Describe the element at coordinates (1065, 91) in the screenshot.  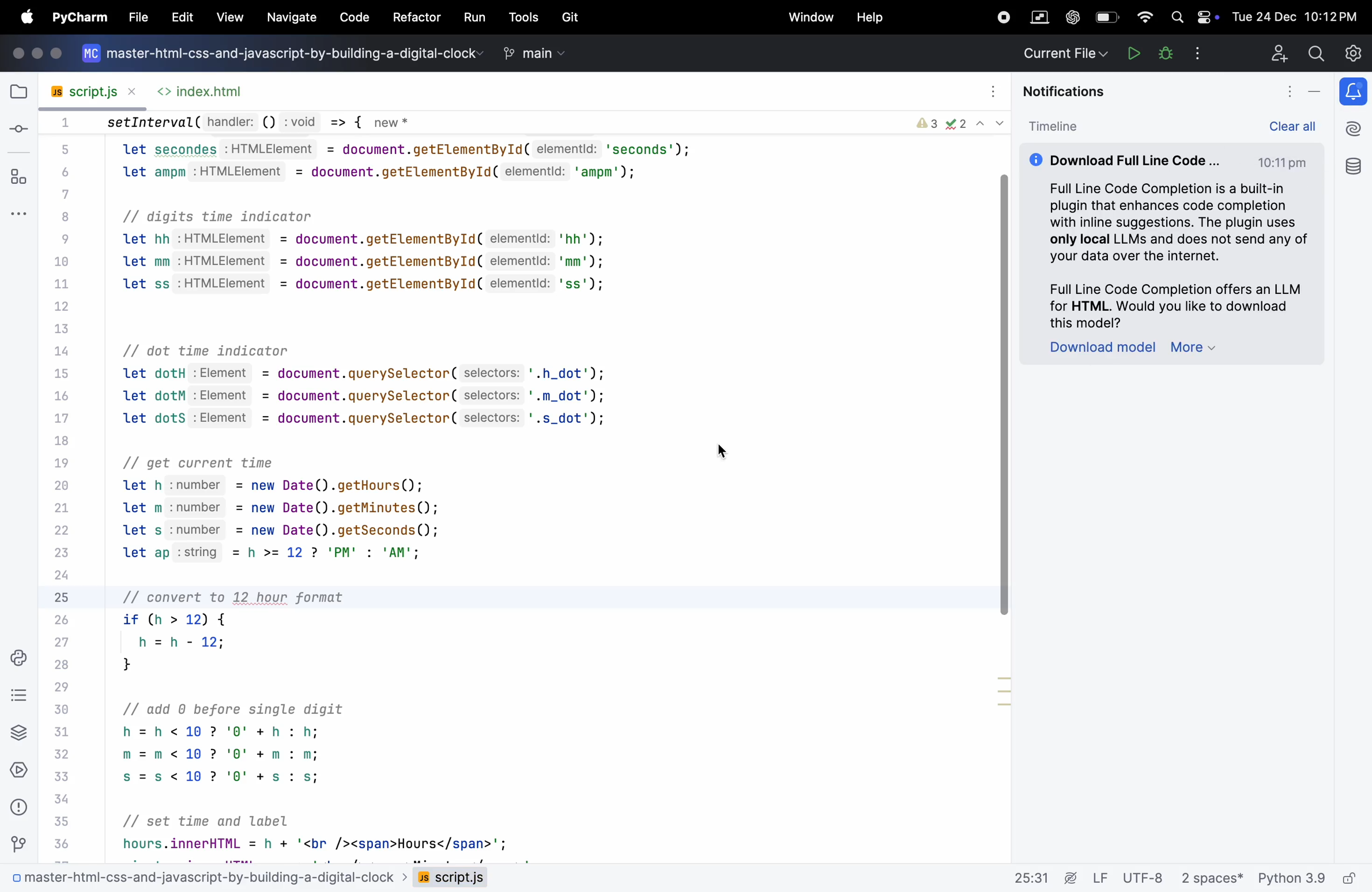
I see `notifications` at that location.